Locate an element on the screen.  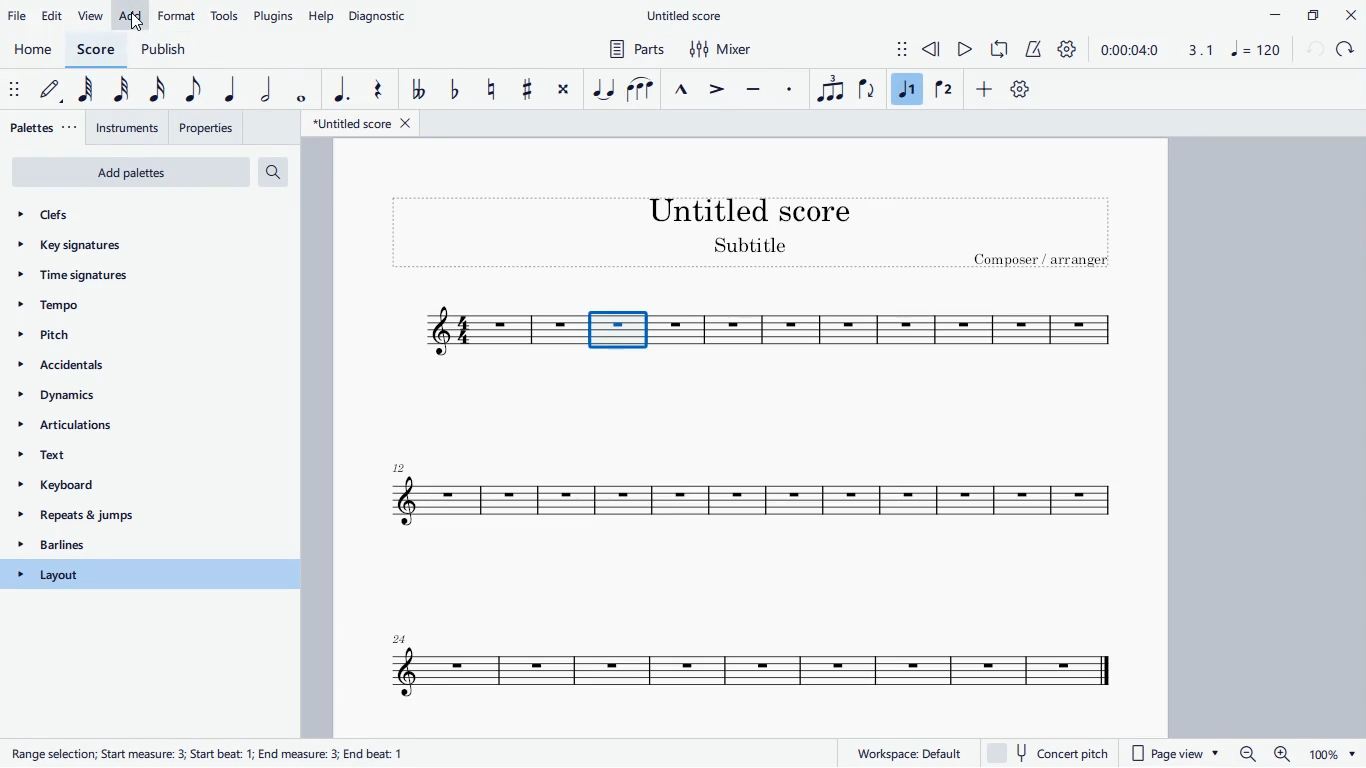
plugins is located at coordinates (274, 16).